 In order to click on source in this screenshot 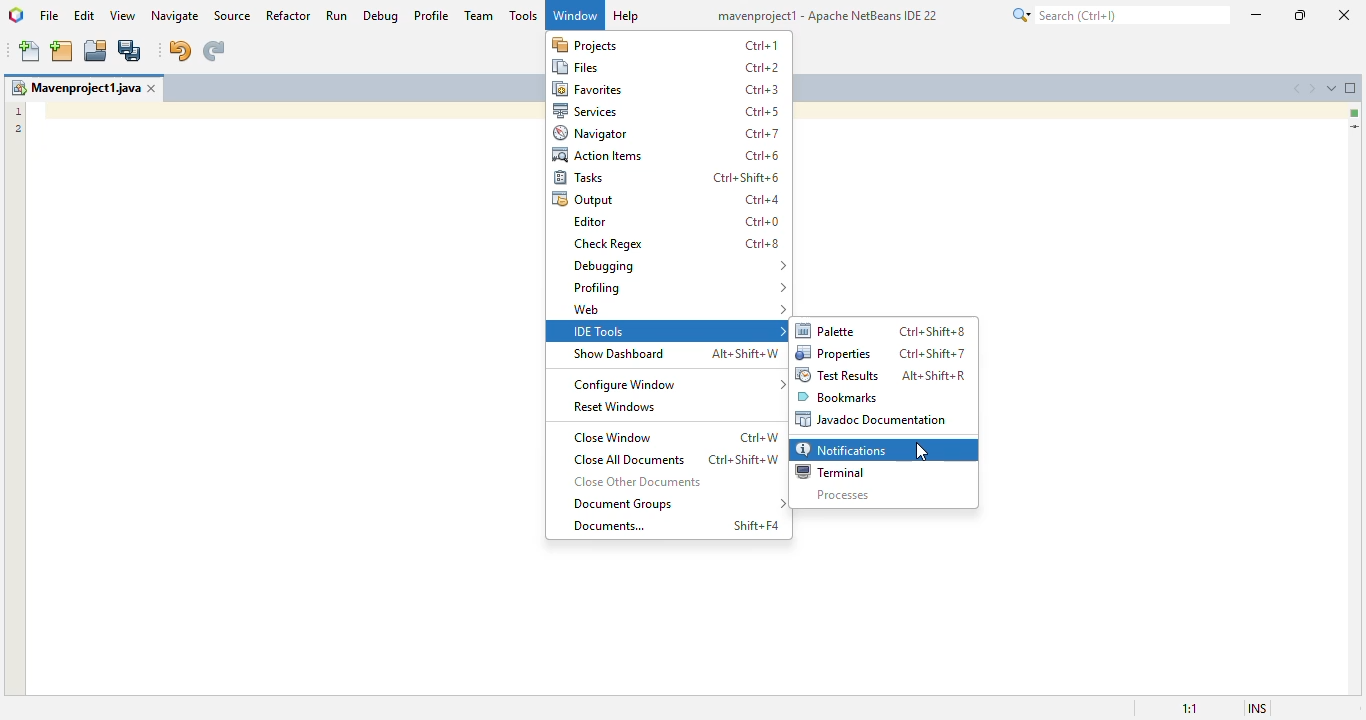, I will do `click(232, 15)`.